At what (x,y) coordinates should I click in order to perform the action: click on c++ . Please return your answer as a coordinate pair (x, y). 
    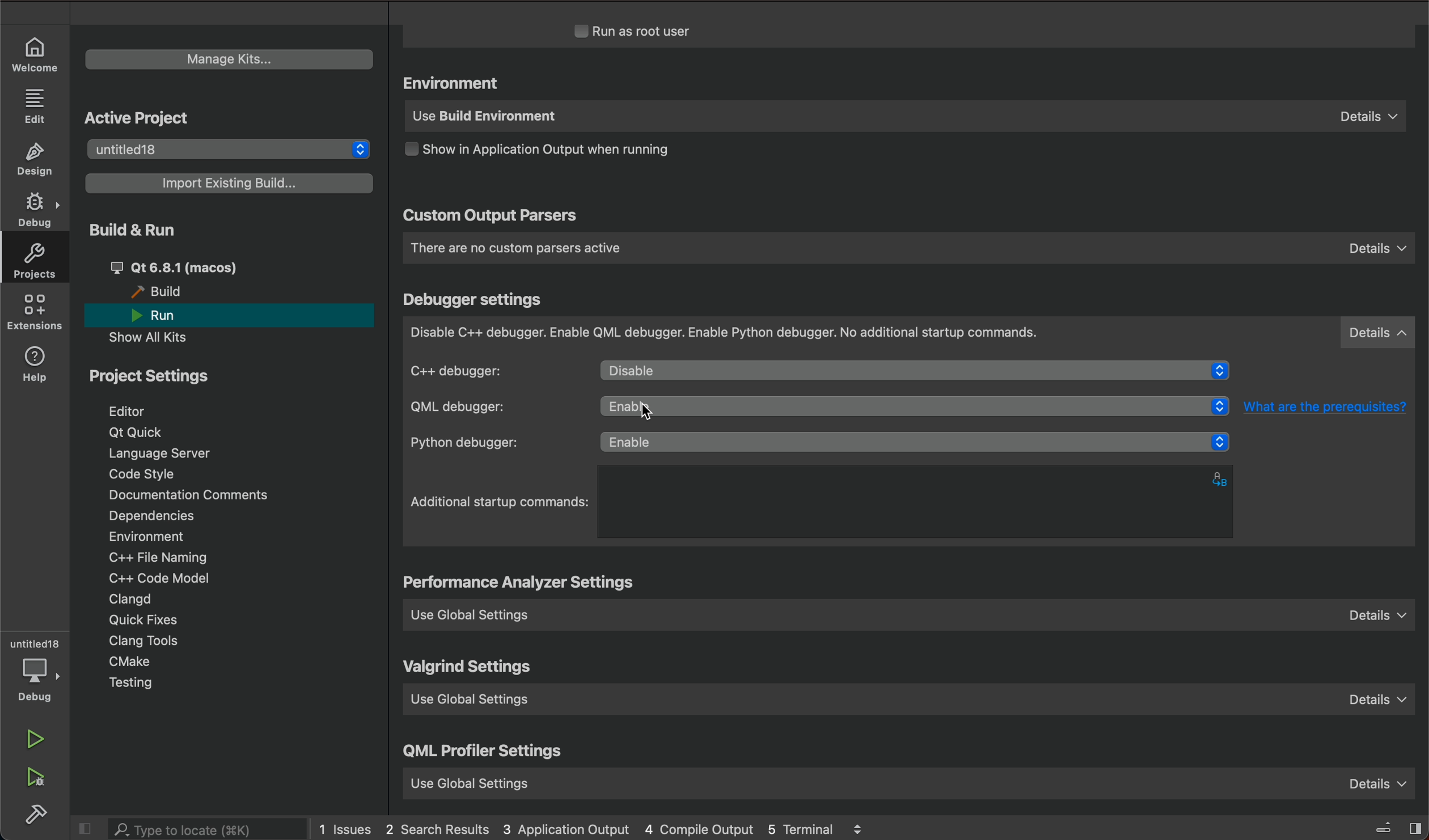
    Looking at the image, I should click on (489, 370).